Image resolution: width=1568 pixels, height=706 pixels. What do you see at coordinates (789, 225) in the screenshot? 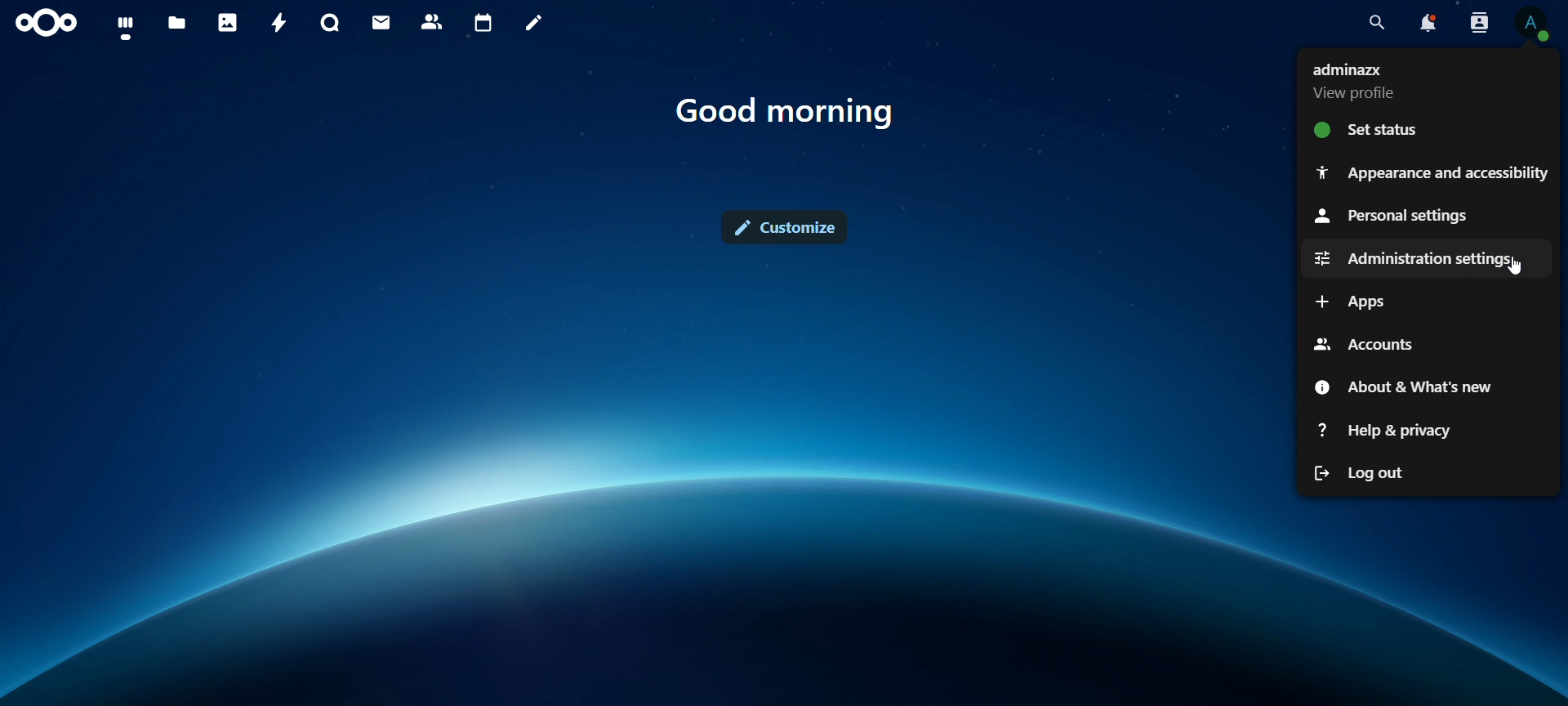
I see `customize` at bounding box center [789, 225].